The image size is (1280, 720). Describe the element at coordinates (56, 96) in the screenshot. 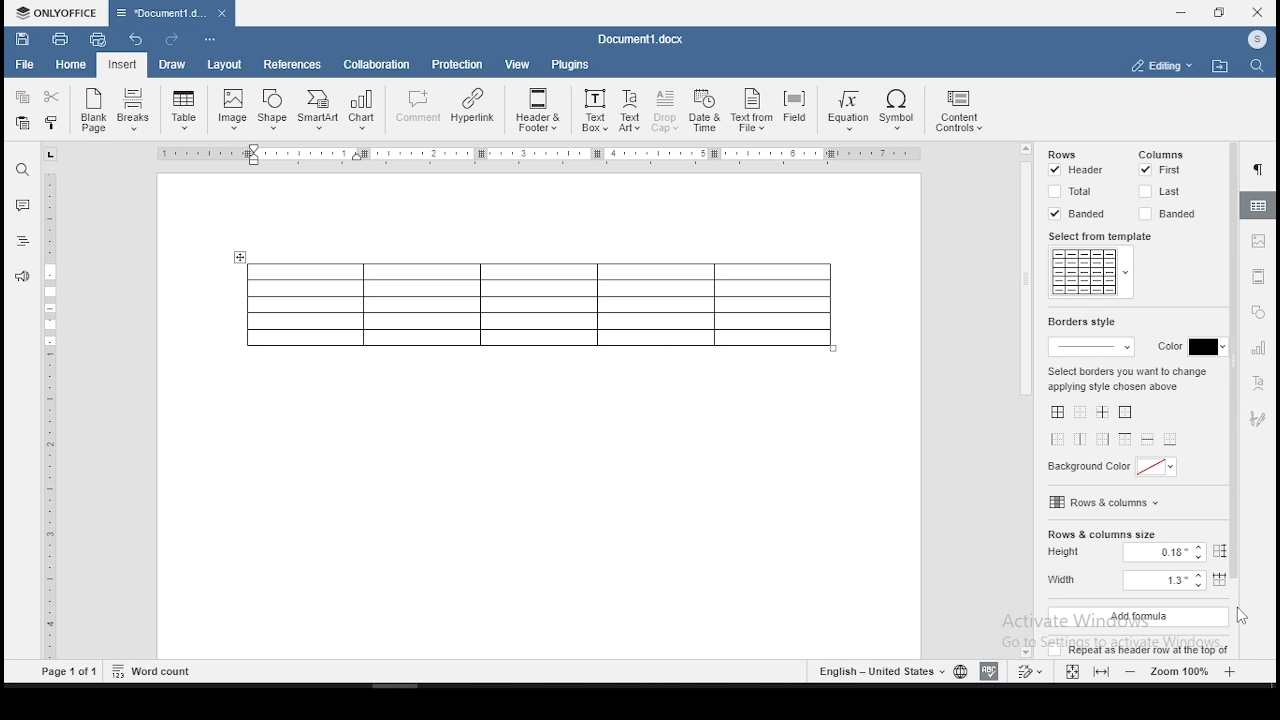

I see `cut` at that location.